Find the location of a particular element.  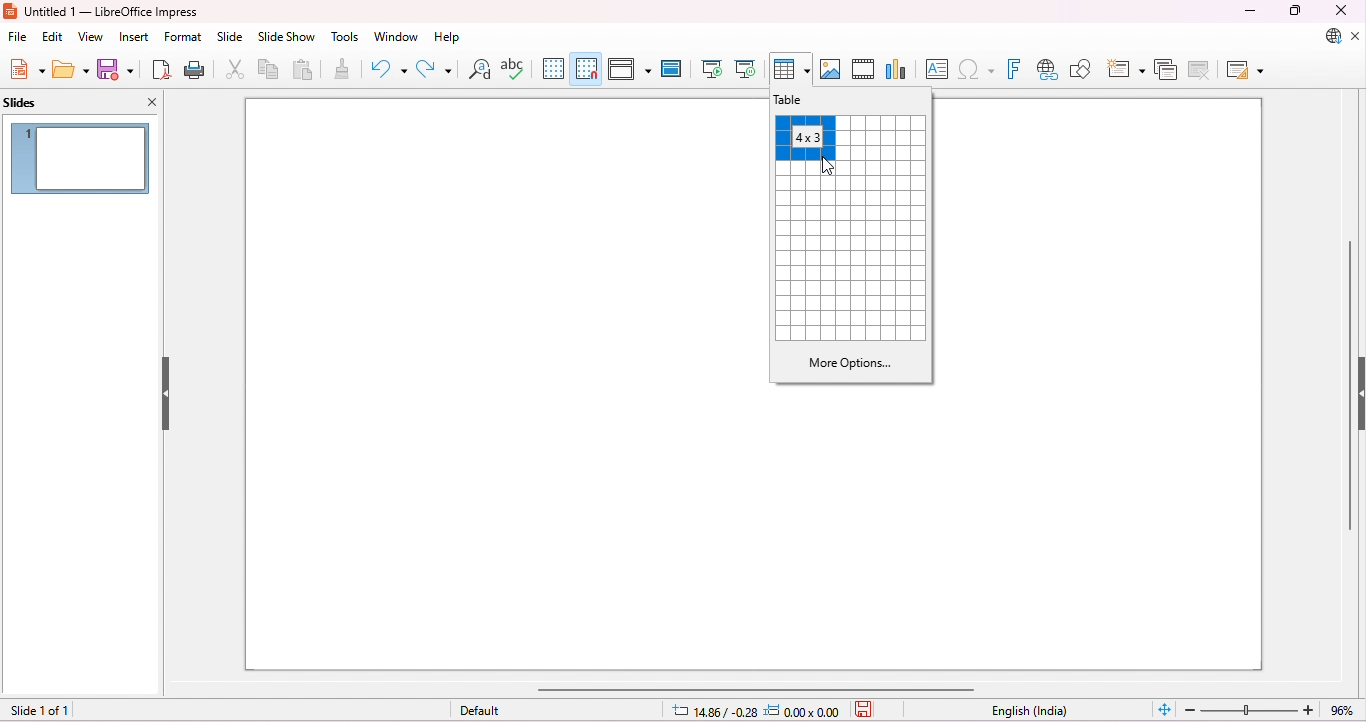

format is located at coordinates (184, 37).